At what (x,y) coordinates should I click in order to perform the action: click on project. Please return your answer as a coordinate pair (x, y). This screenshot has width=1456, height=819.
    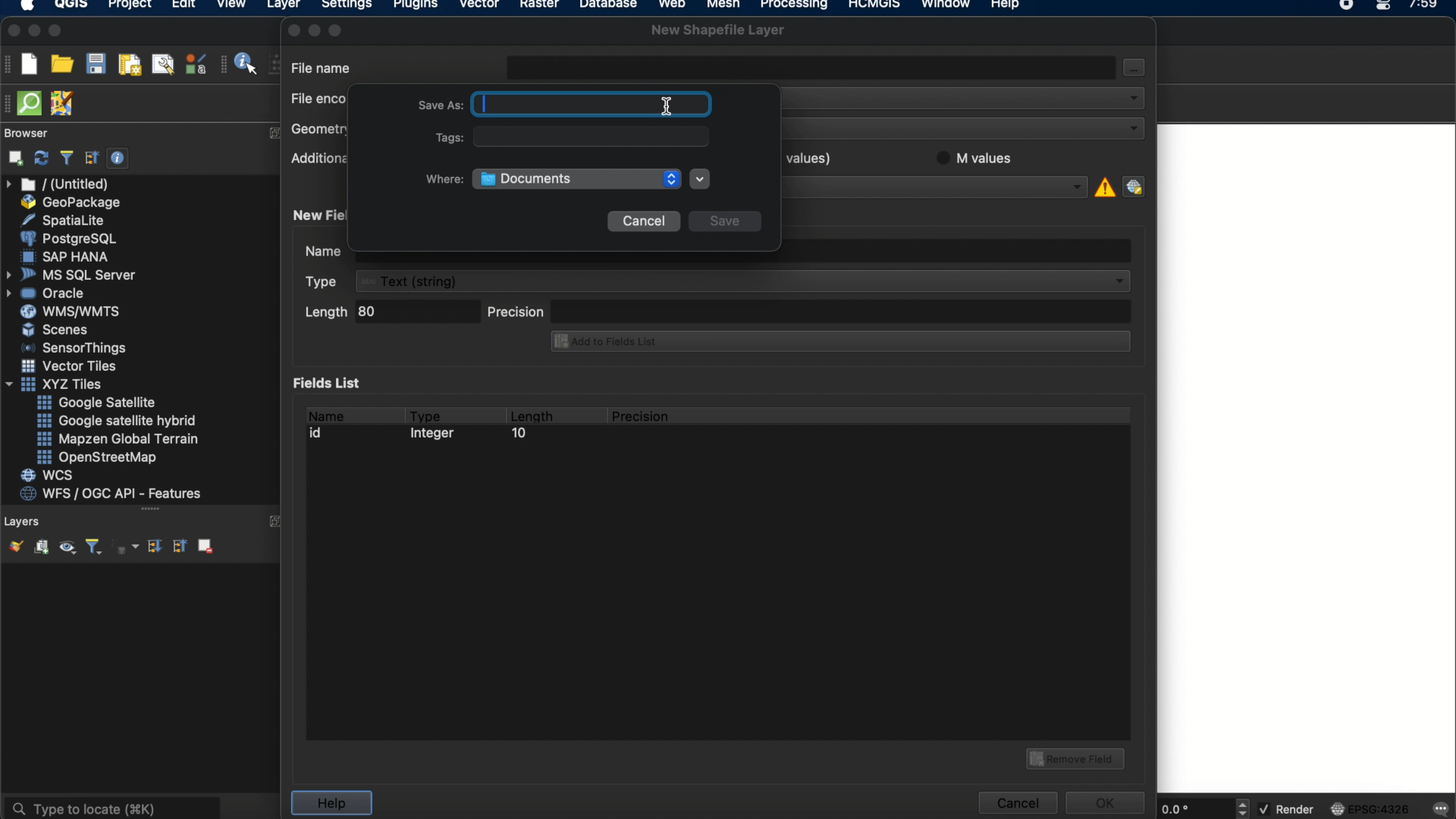
    Looking at the image, I should click on (127, 6).